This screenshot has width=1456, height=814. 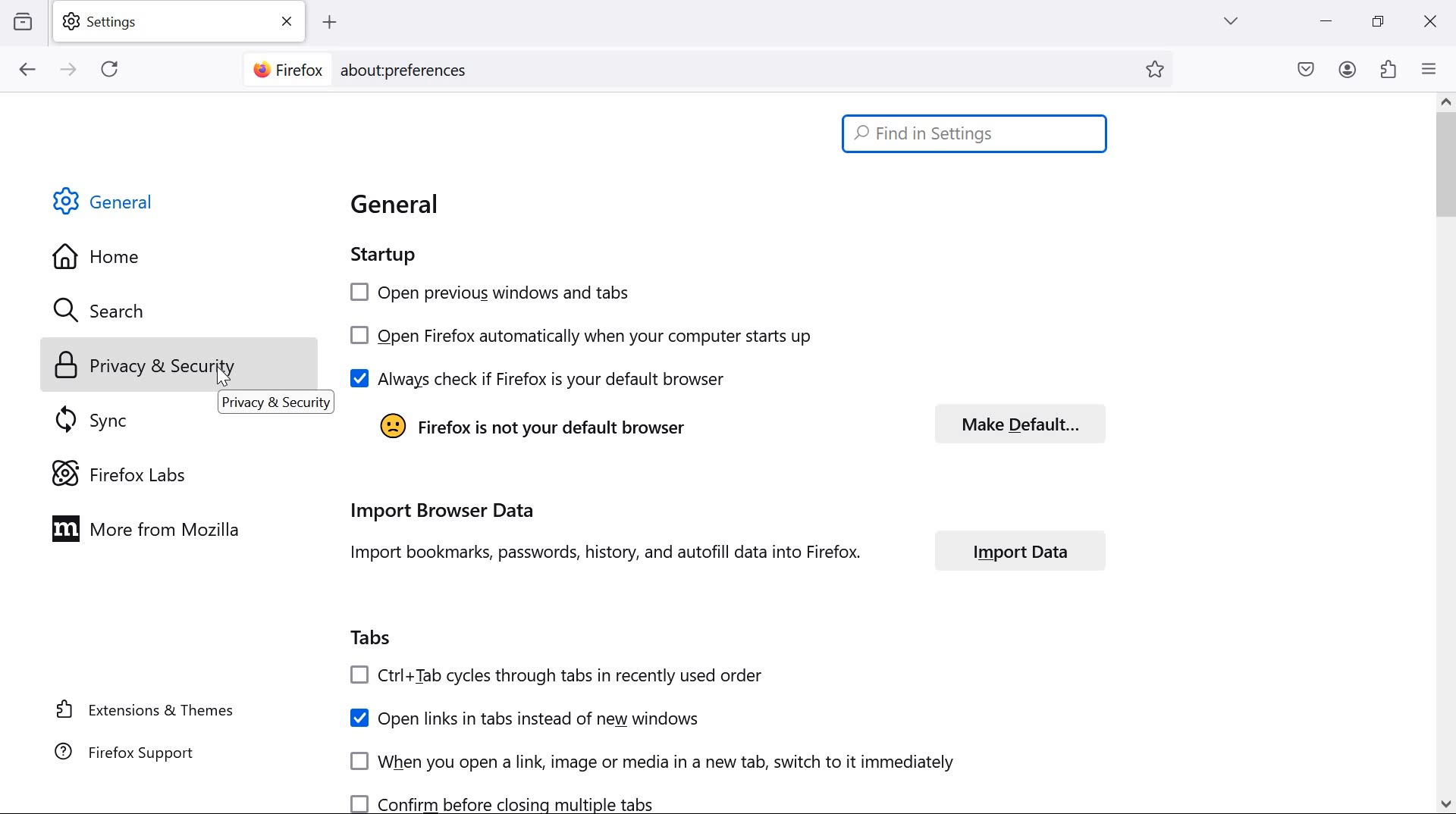 I want to click on Open links in tabs instead of new windows, so click(x=529, y=719).